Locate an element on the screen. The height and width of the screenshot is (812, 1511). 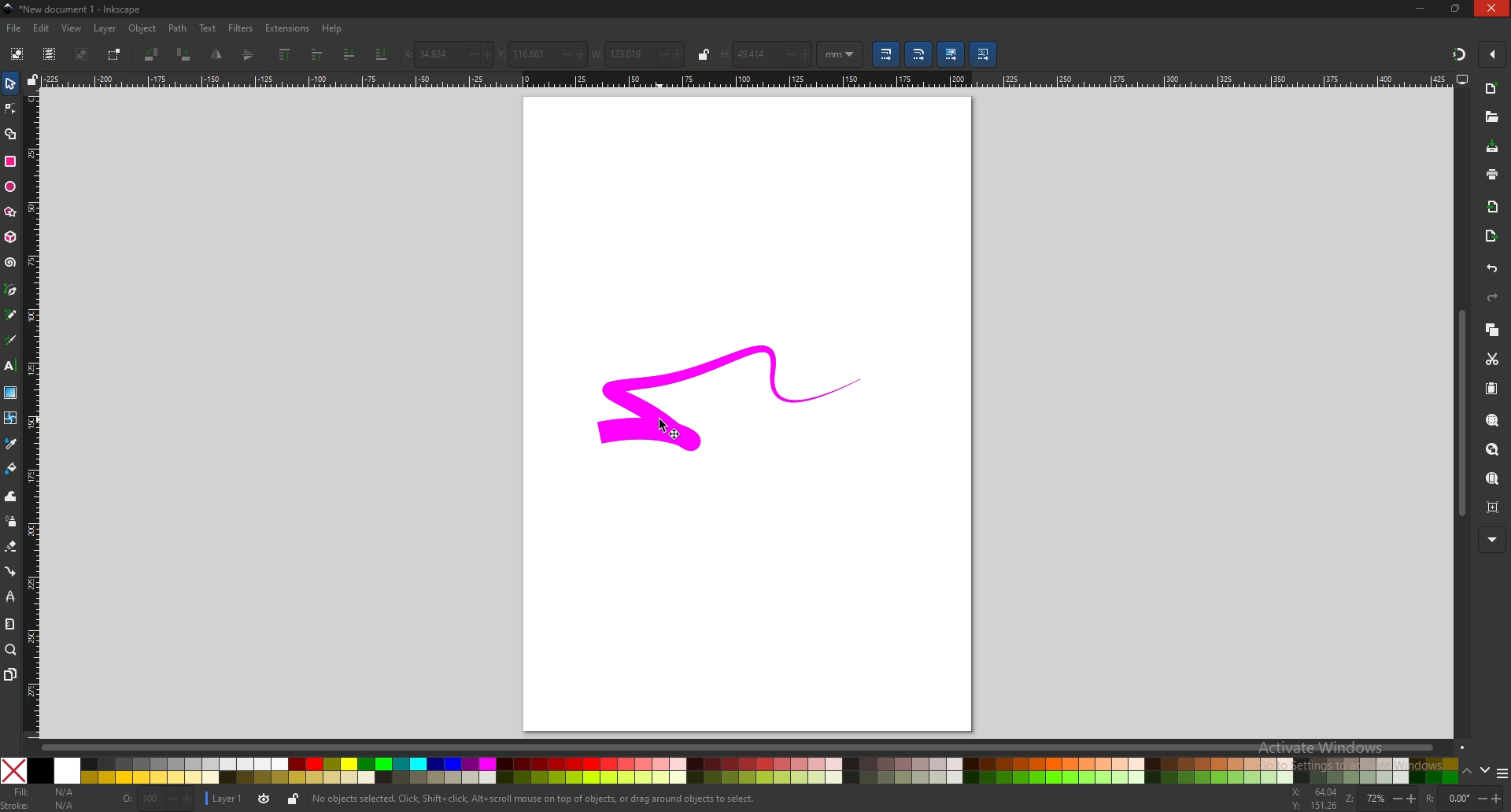
lower to bottom is located at coordinates (382, 55).